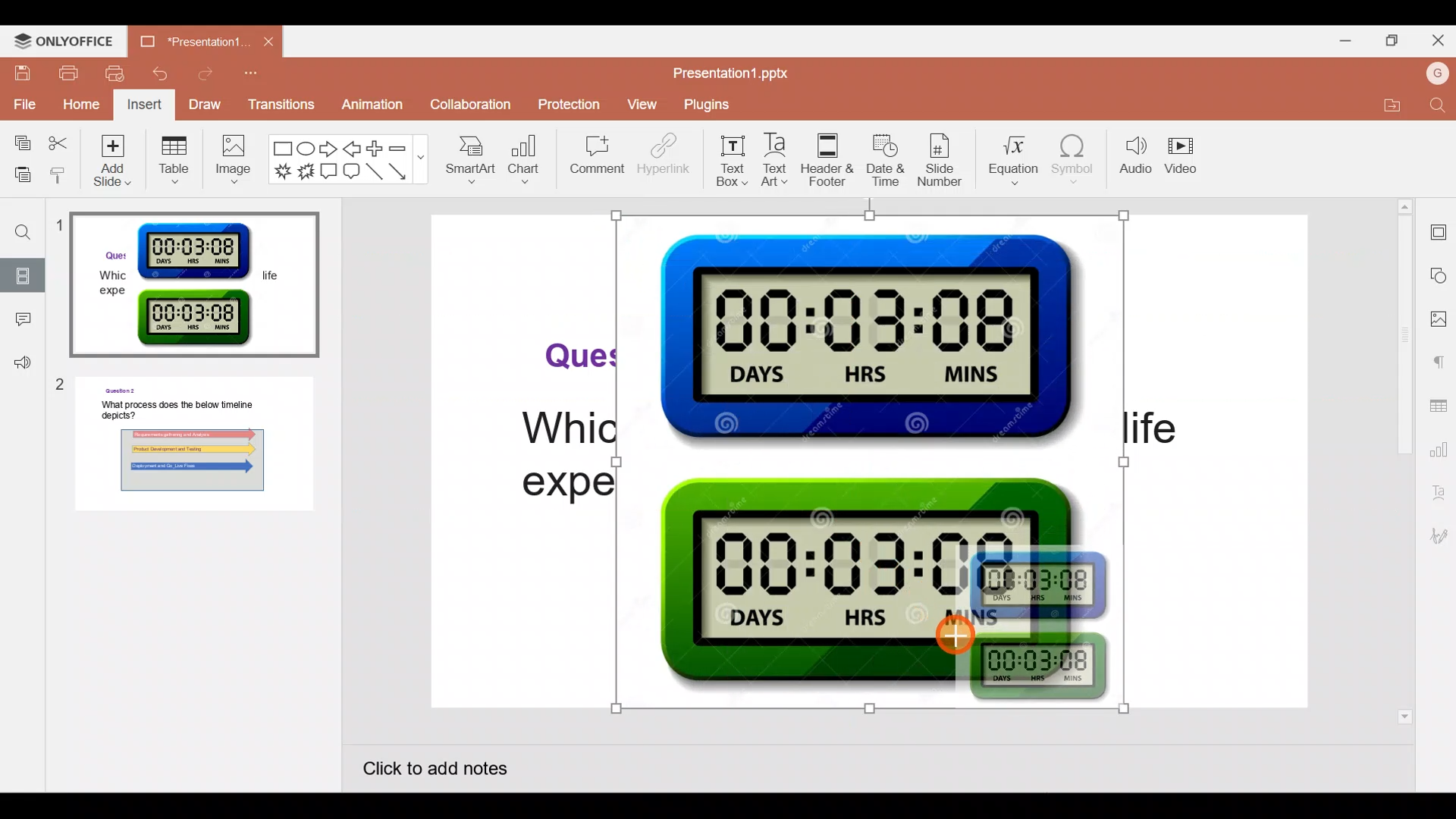  I want to click on Account name, so click(1434, 74).